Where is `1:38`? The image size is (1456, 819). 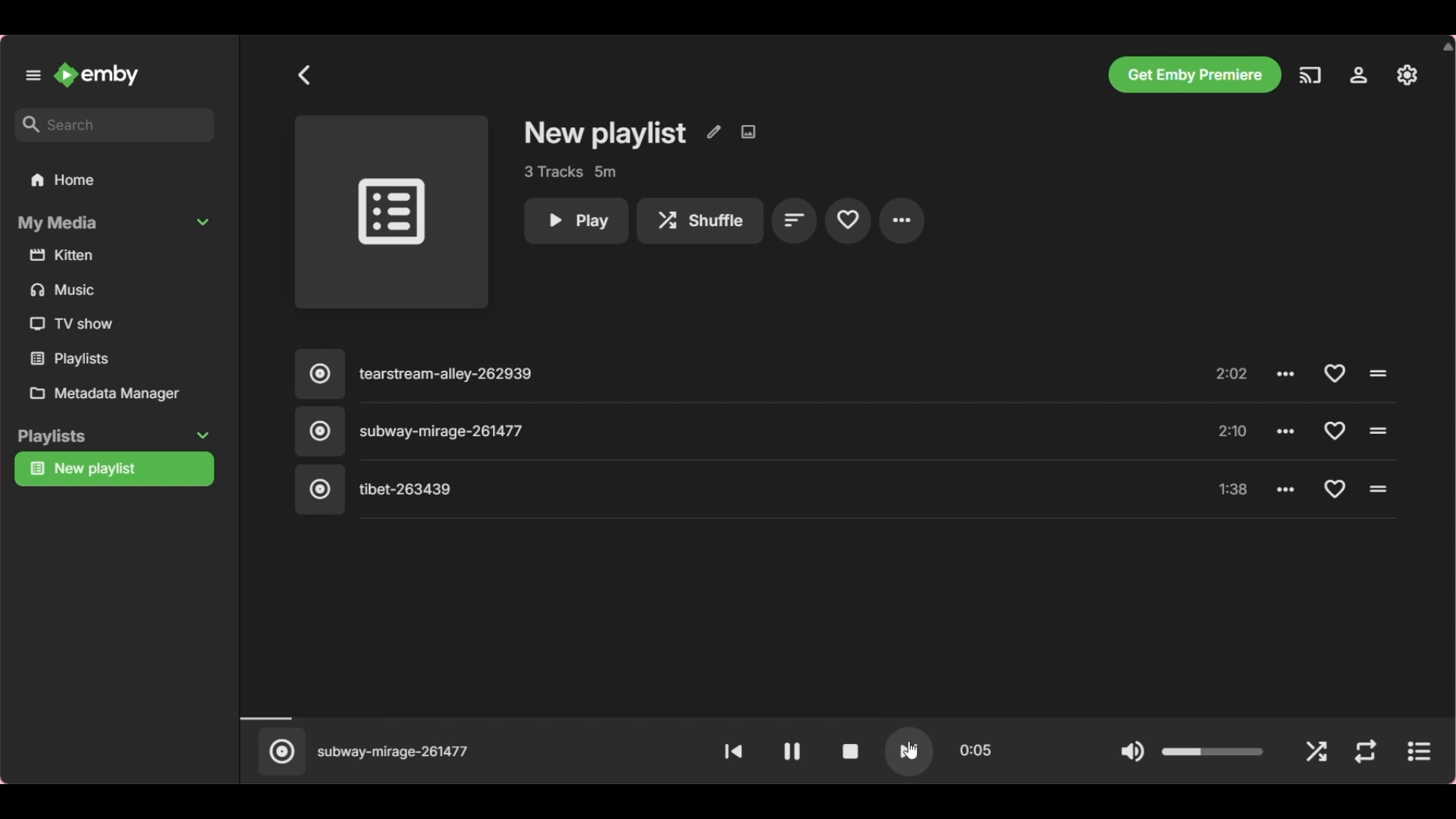 1:38 is located at coordinates (1232, 487).